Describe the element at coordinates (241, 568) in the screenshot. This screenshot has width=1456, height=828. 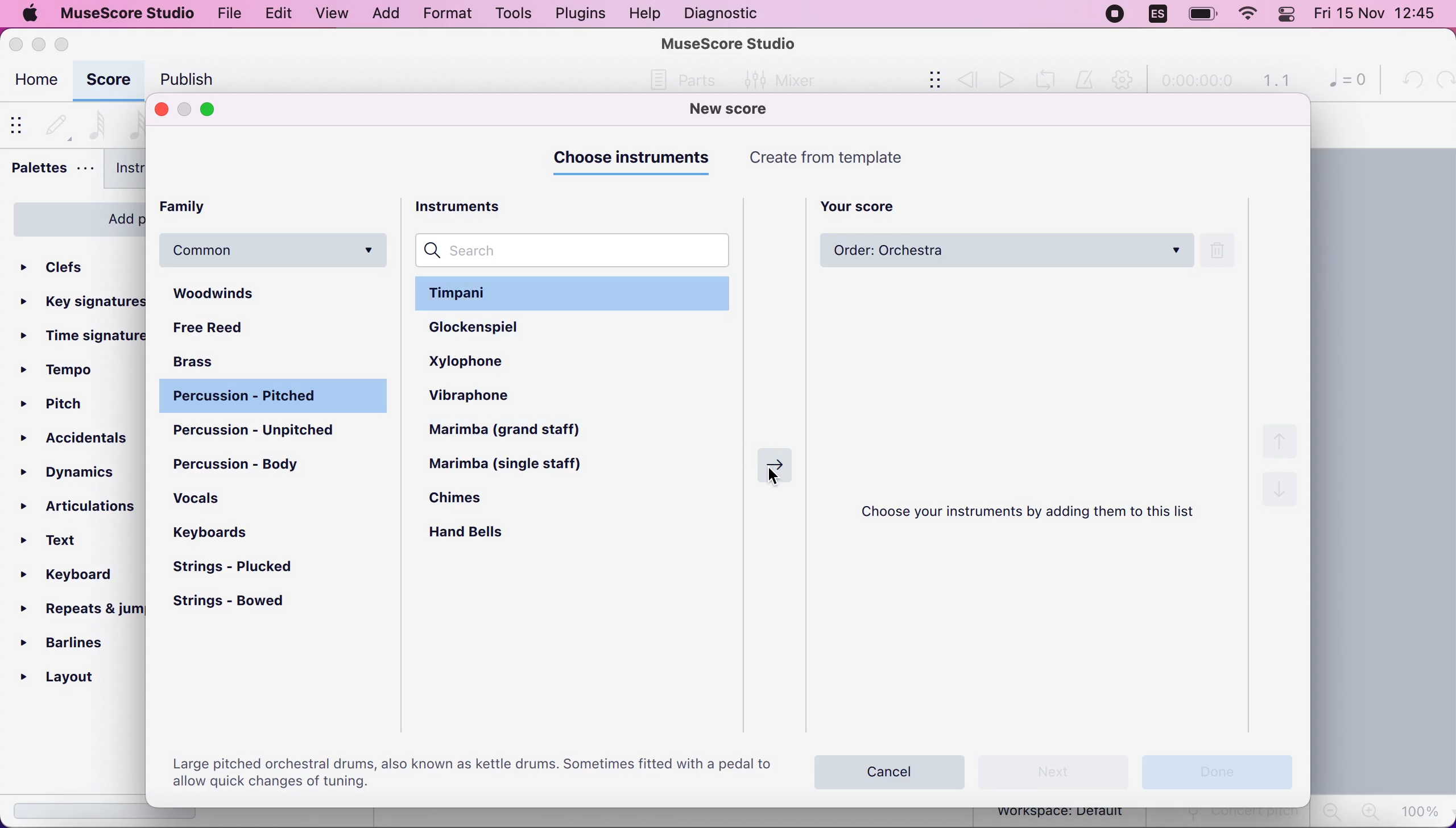
I see `strings - plucked` at that location.